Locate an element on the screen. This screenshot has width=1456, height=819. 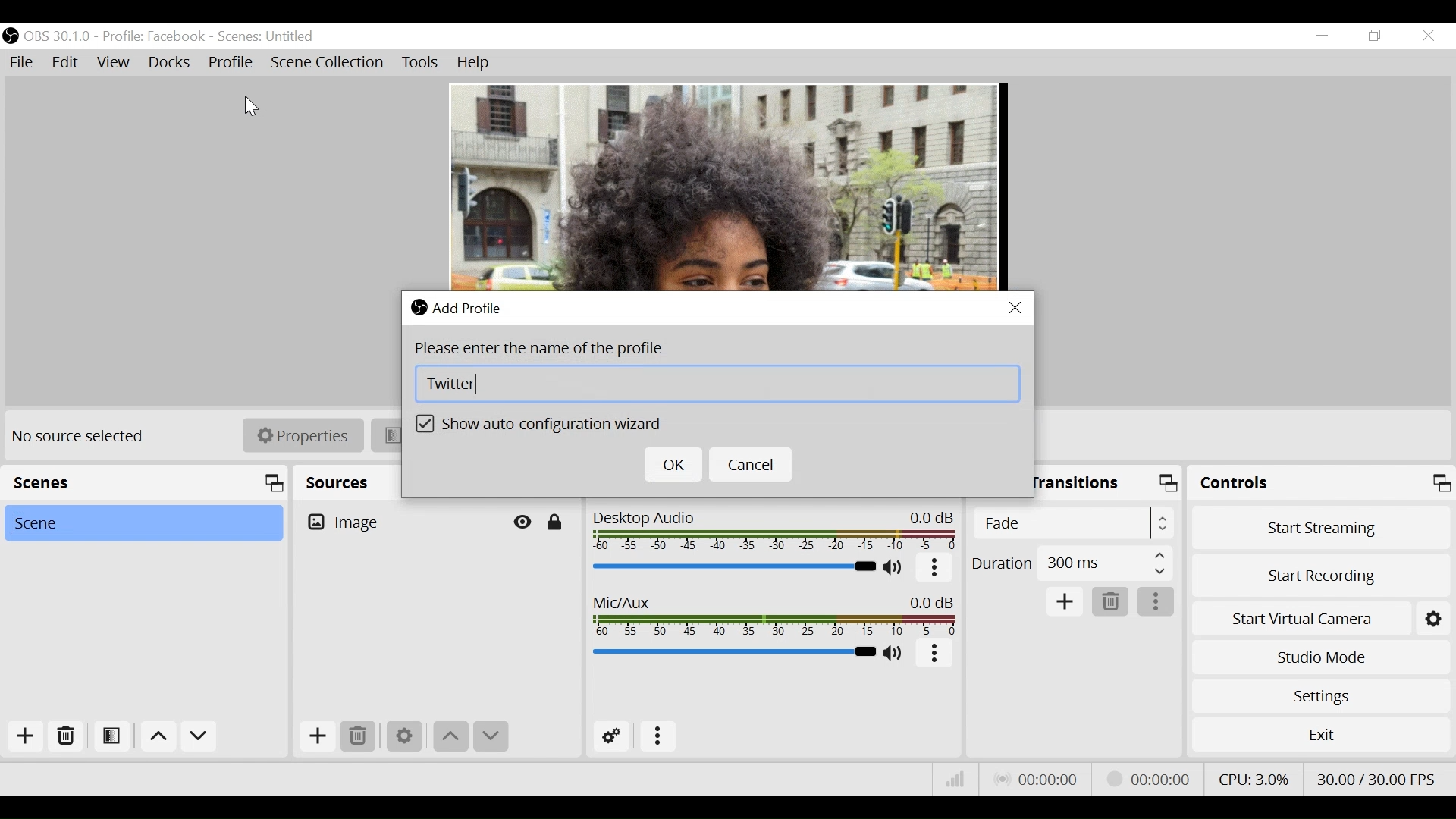
Sources is located at coordinates (337, 479).